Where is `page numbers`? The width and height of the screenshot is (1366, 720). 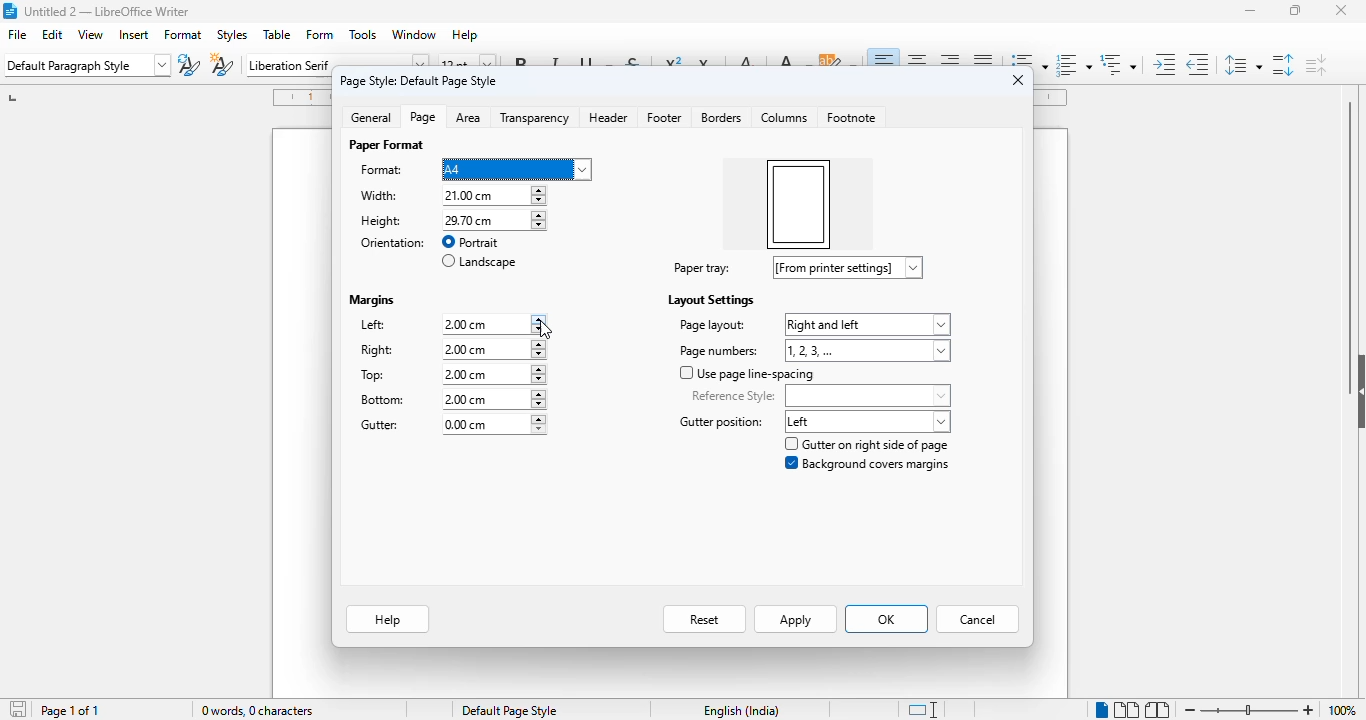 page numbers is located at coordinates (721, 349).